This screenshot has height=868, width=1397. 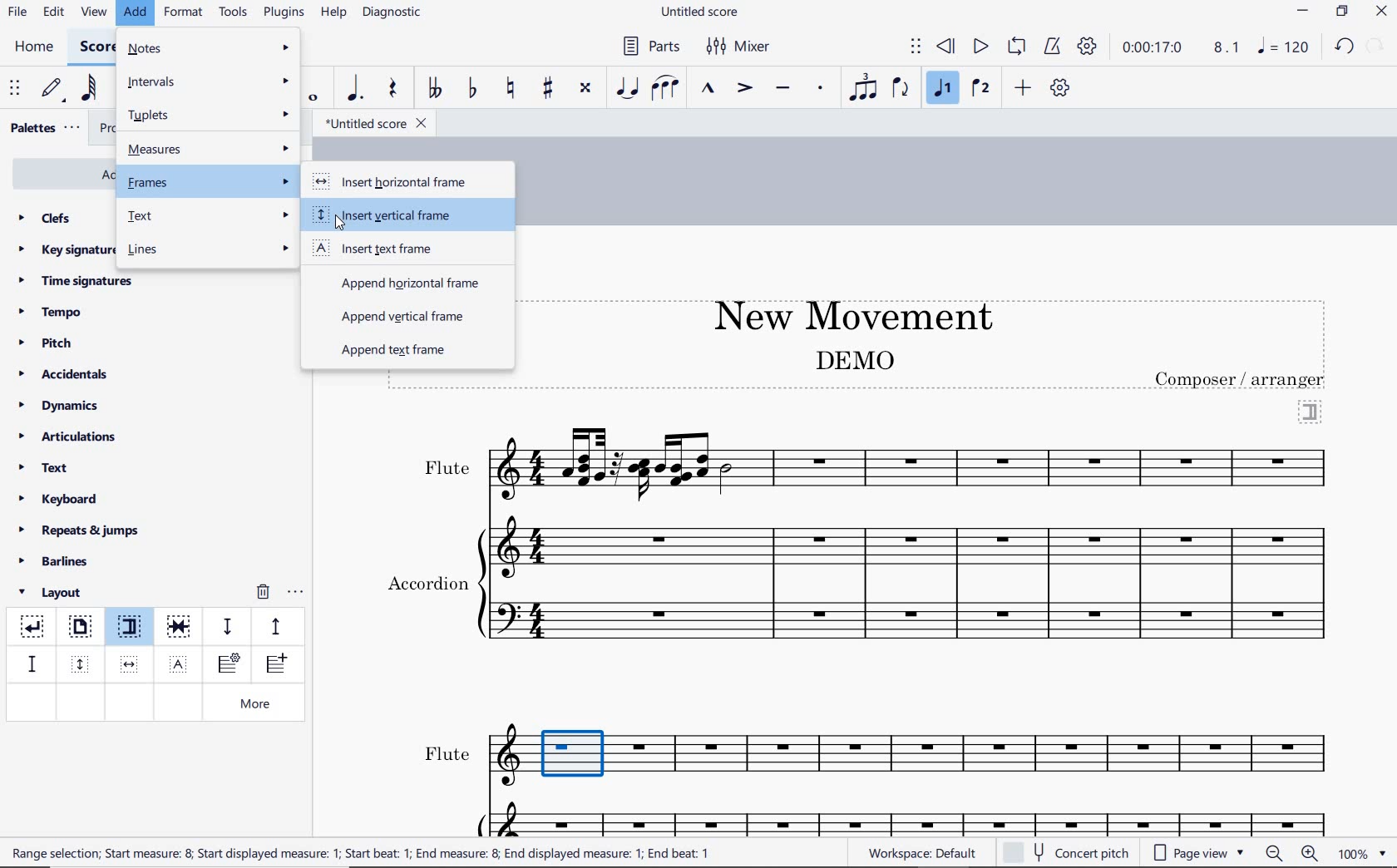 I want to click on voice 2, so click(x=981, y=89).